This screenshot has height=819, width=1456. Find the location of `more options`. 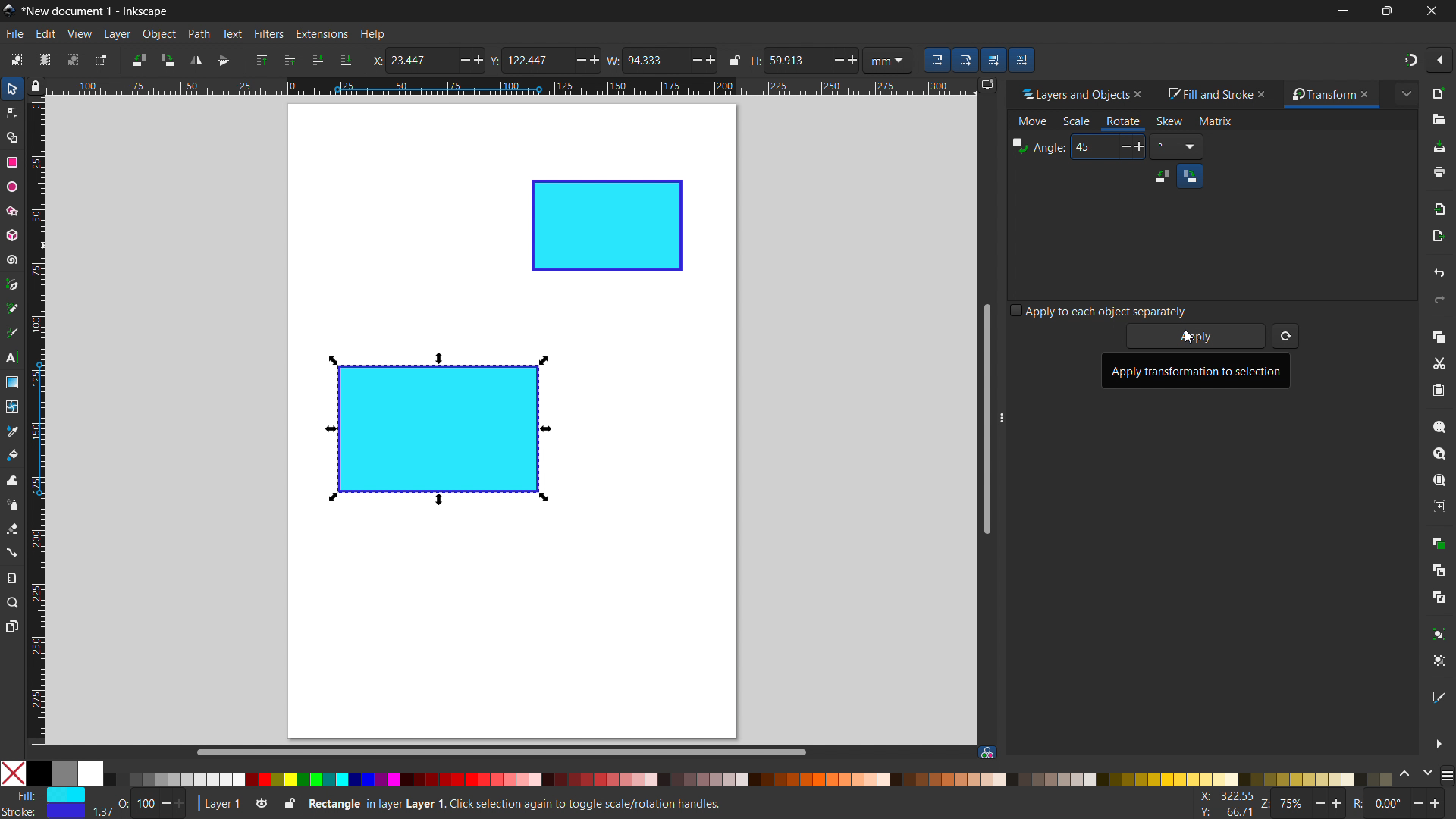

more options is located at coordinates (1439, 744).